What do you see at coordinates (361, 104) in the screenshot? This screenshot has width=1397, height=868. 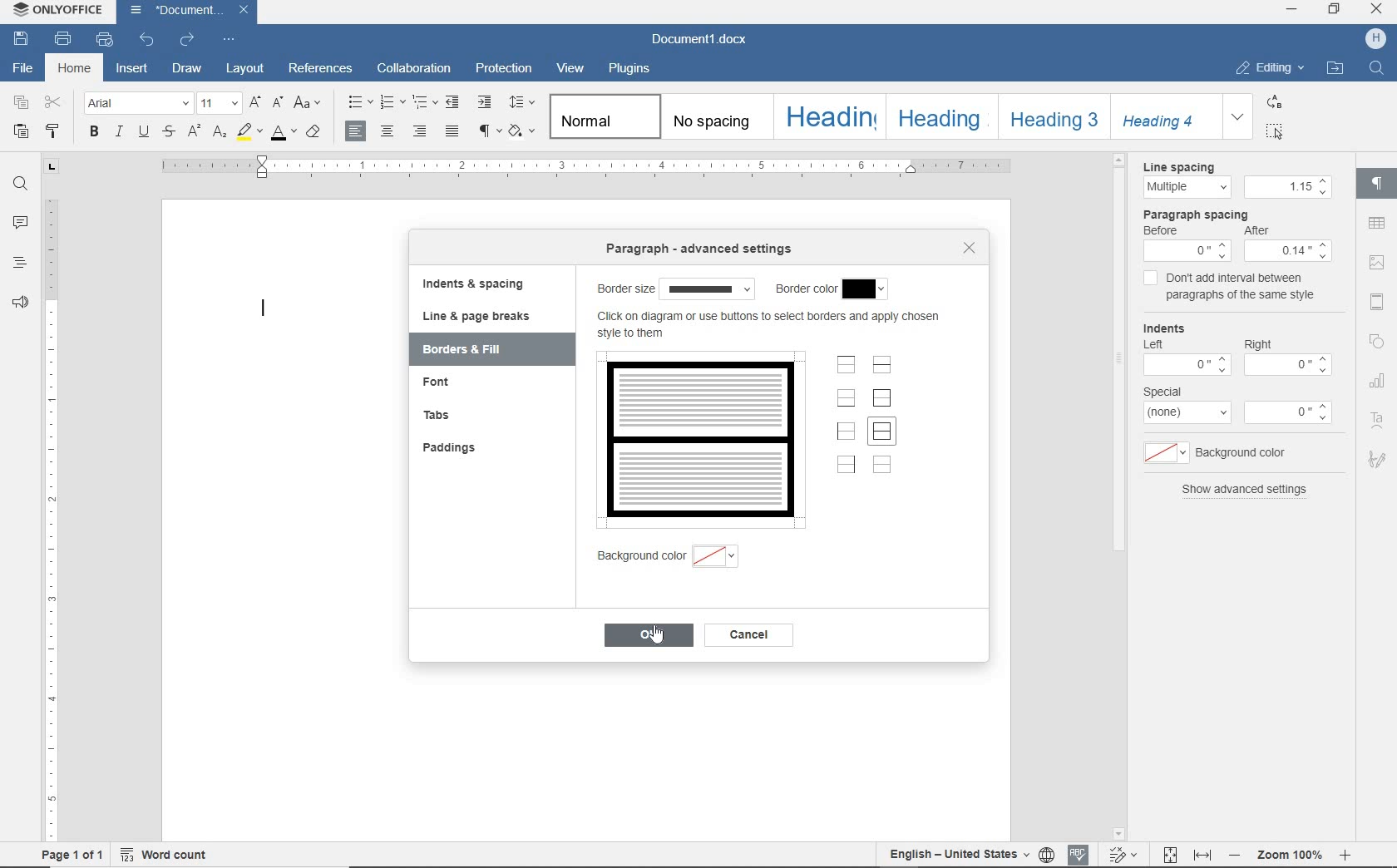 I see `bullets` at bounding box center [361, 104].